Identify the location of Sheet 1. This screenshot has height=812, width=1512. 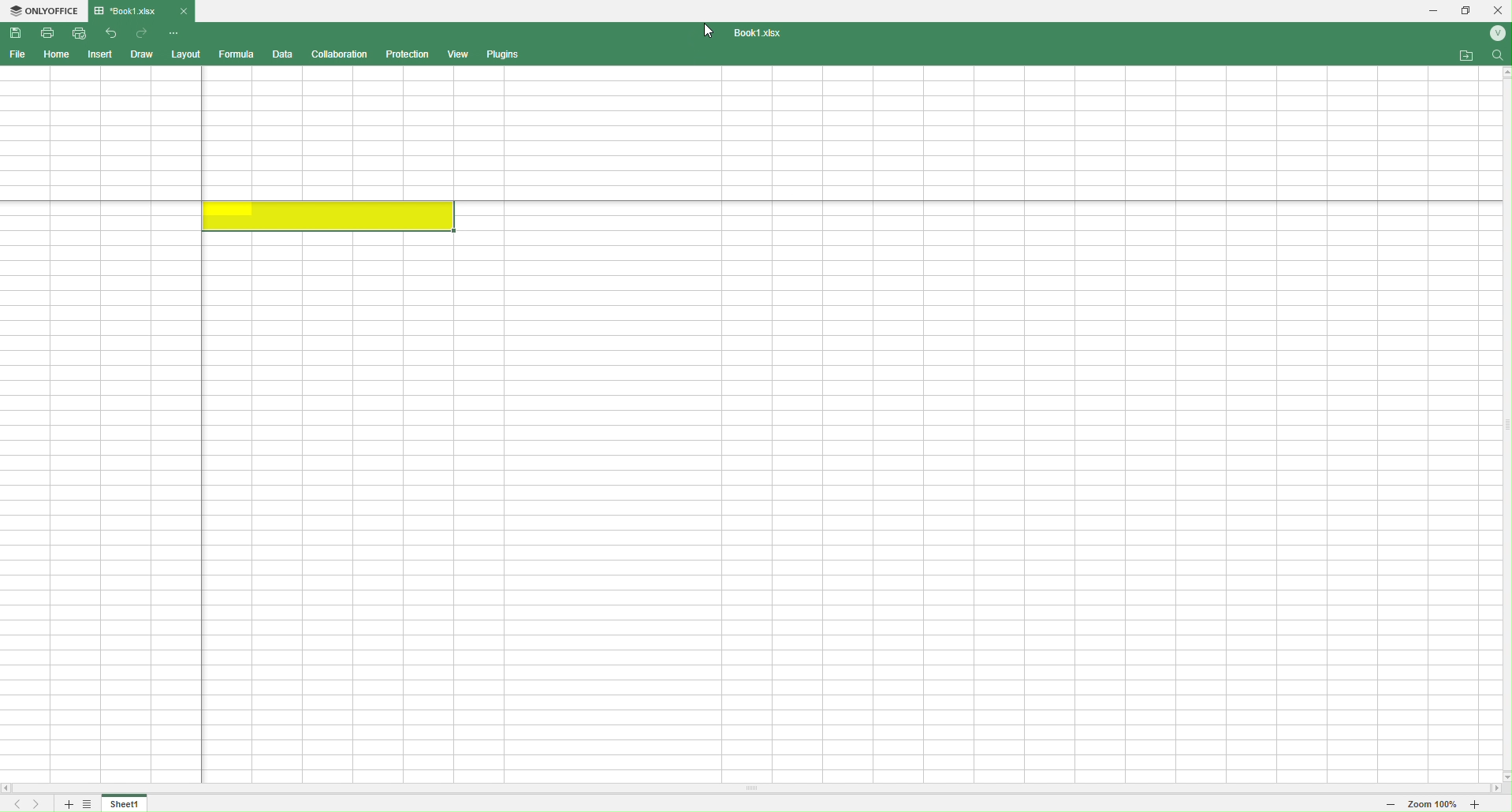
(125, 804).